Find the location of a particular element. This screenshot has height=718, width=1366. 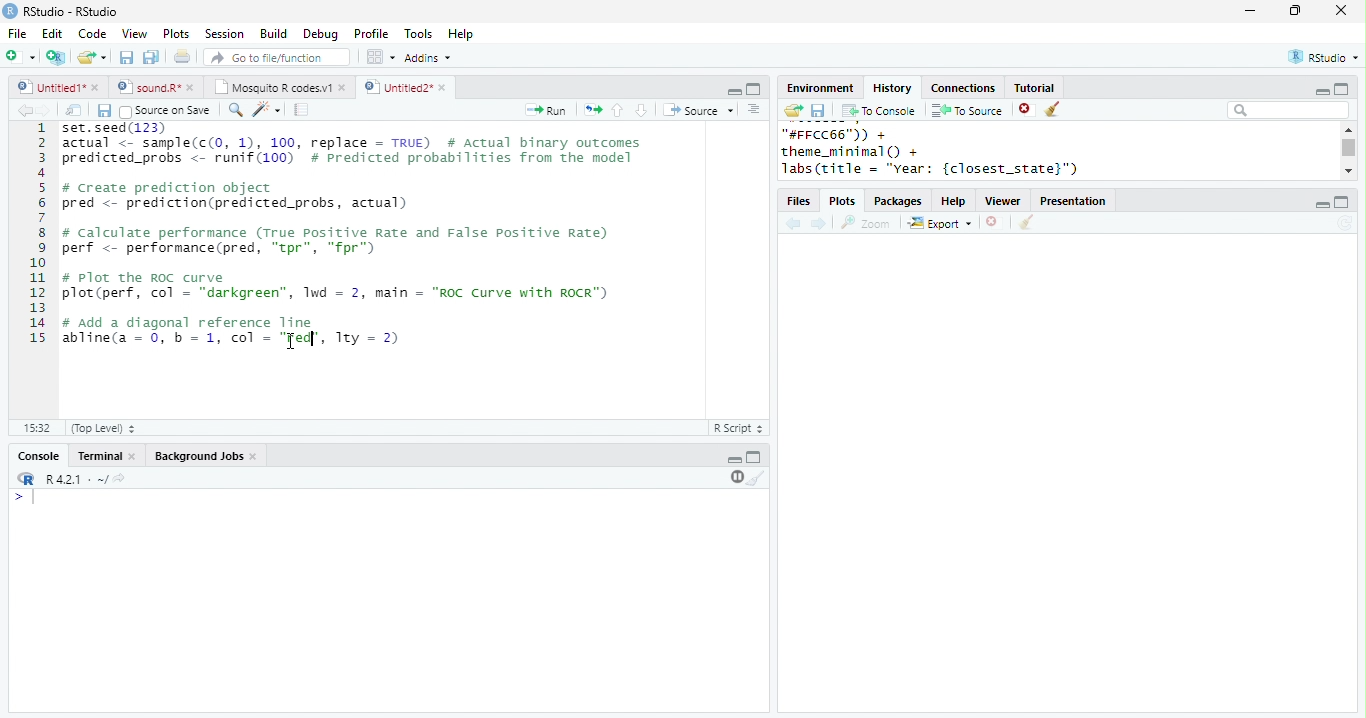

Connections is located at coordinates (962, 88).